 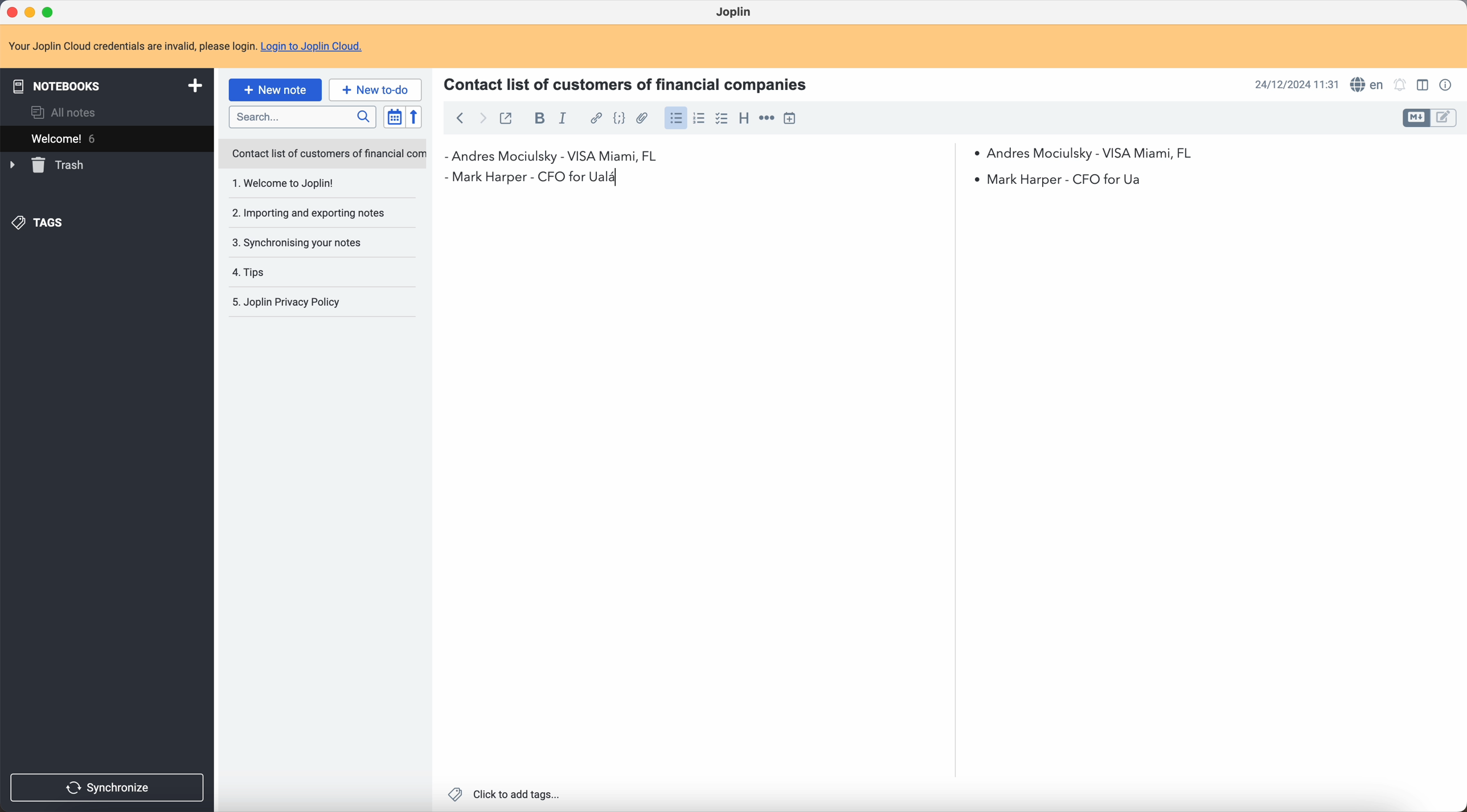 What do you see at coordinates (1400, 85) in the screenshot?
I see `set notifications` at bounding box center [1400, 85].